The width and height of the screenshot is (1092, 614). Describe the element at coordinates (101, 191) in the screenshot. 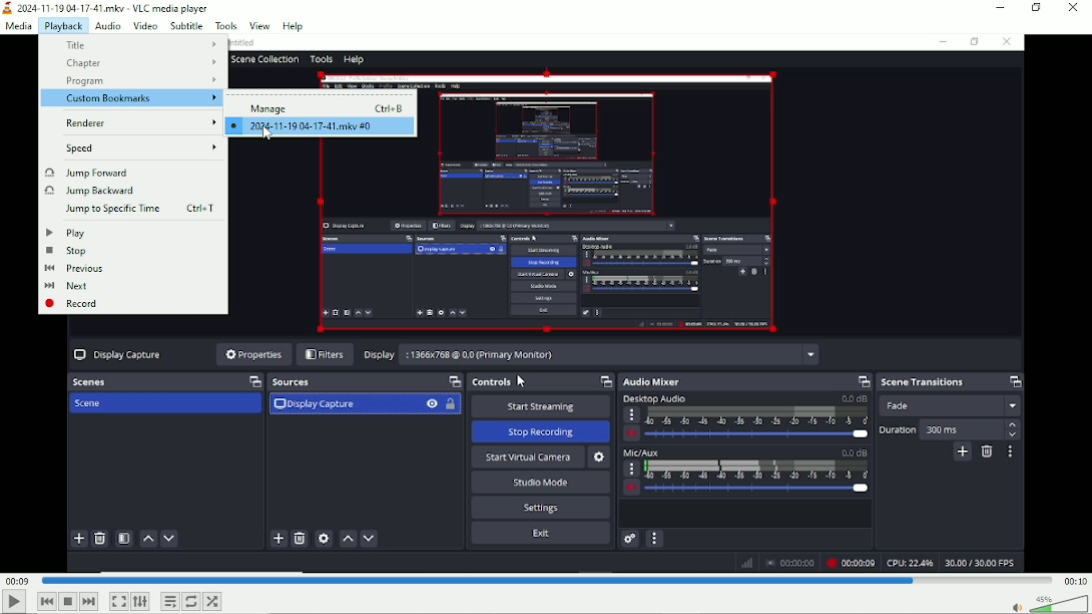

I see `Jump backward` at that location.